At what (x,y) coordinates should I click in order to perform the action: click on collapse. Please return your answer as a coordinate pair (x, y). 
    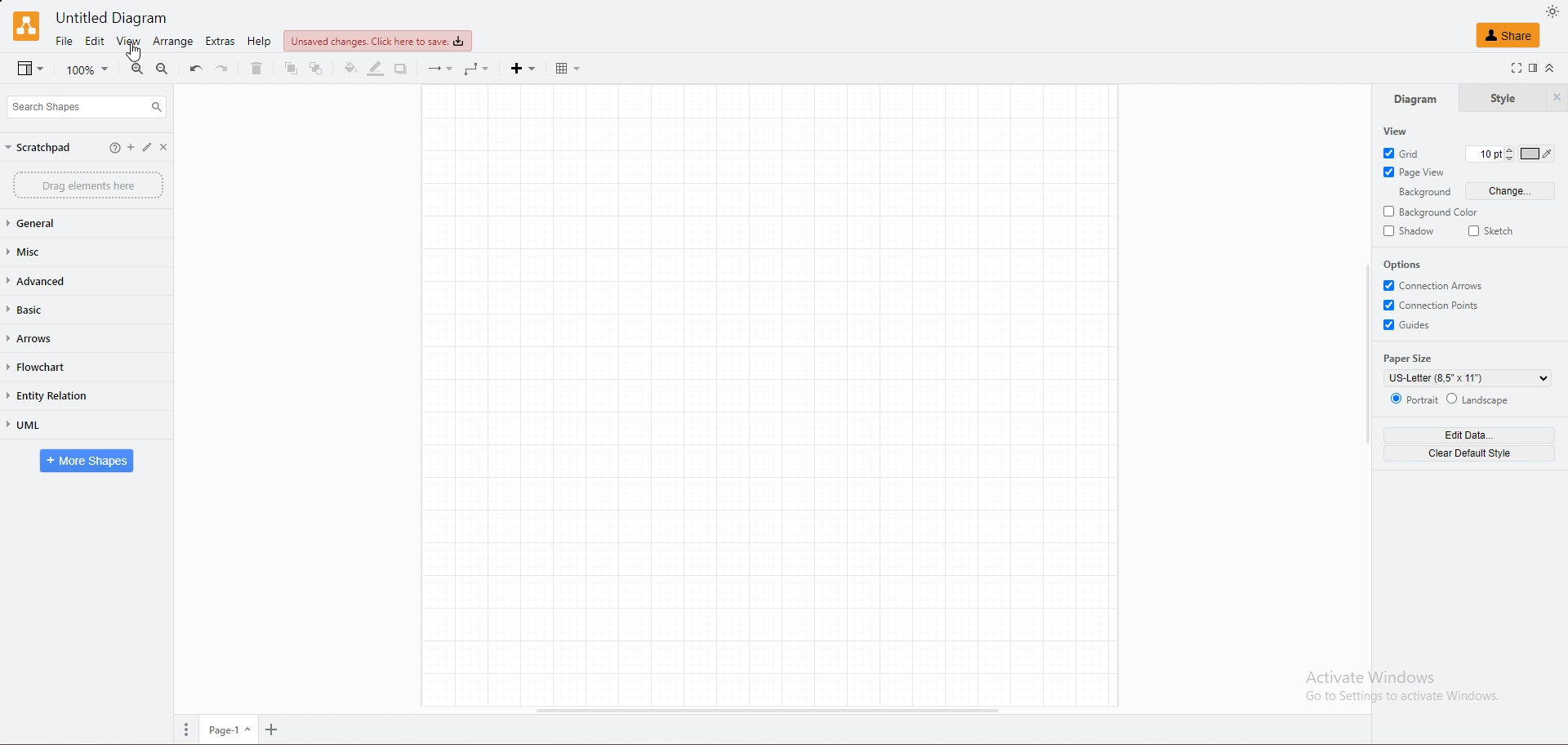
    Looking at the image, I should click on (1555, 69).